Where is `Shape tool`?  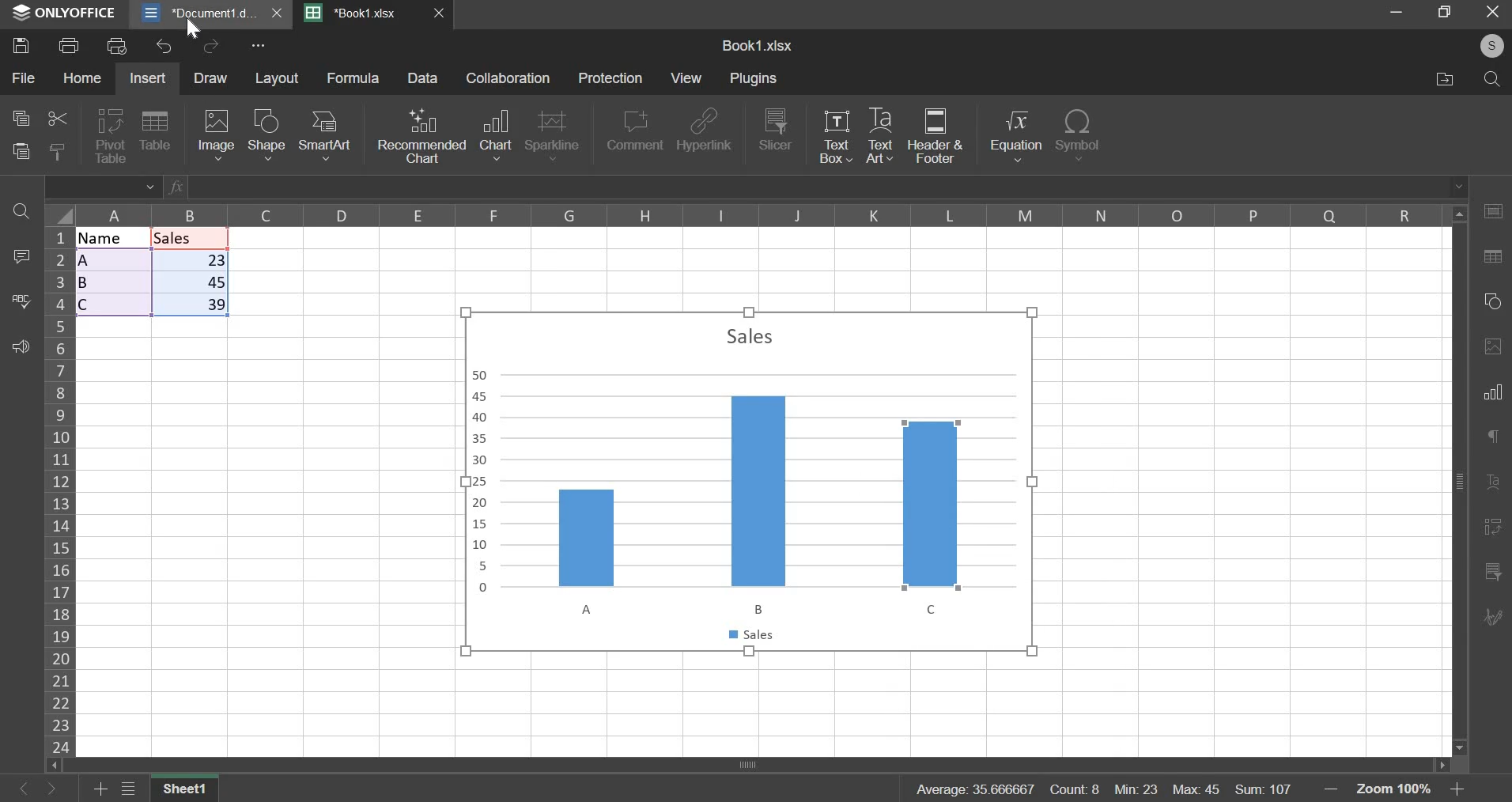 Shape tool is located at coordinates (1491, 301).